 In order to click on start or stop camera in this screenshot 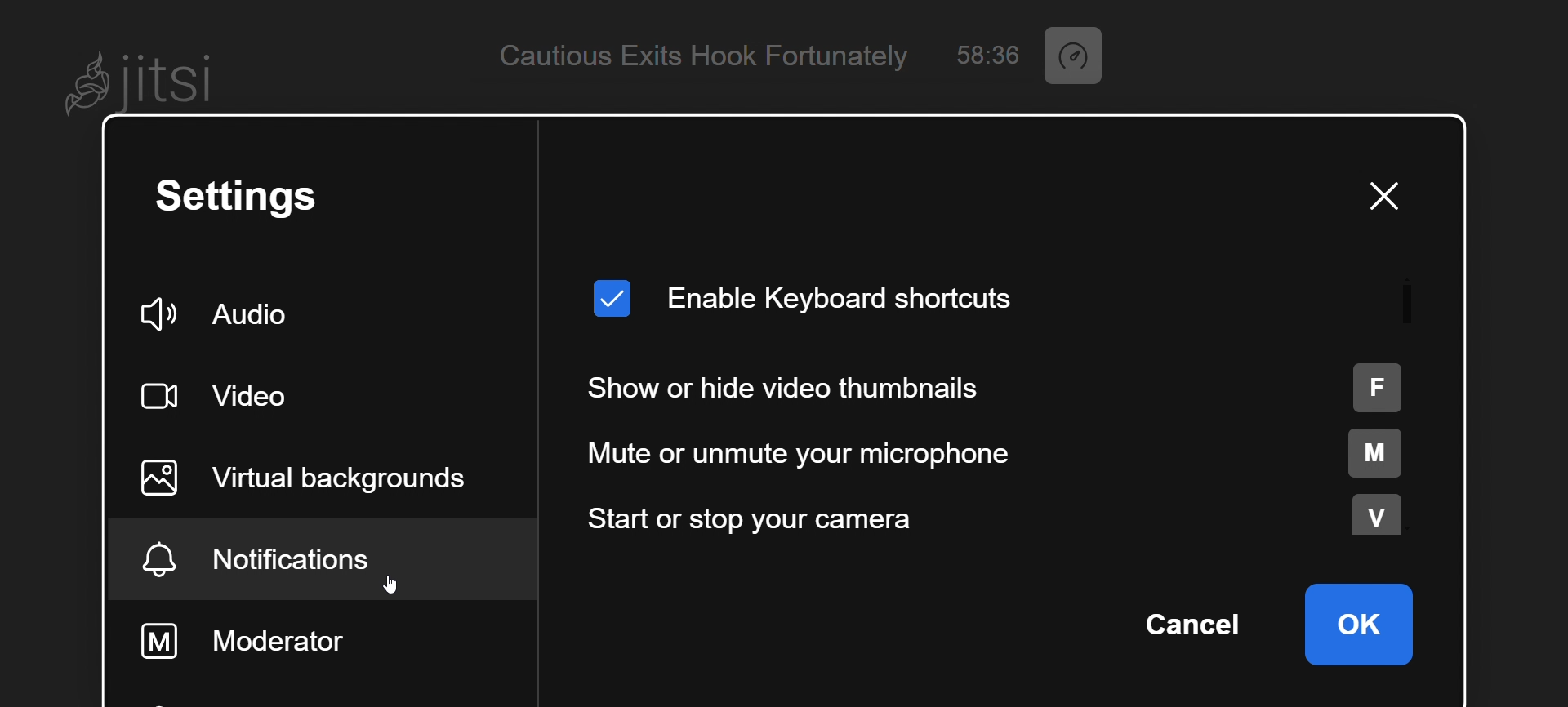, I will do `click(991, 515)`.